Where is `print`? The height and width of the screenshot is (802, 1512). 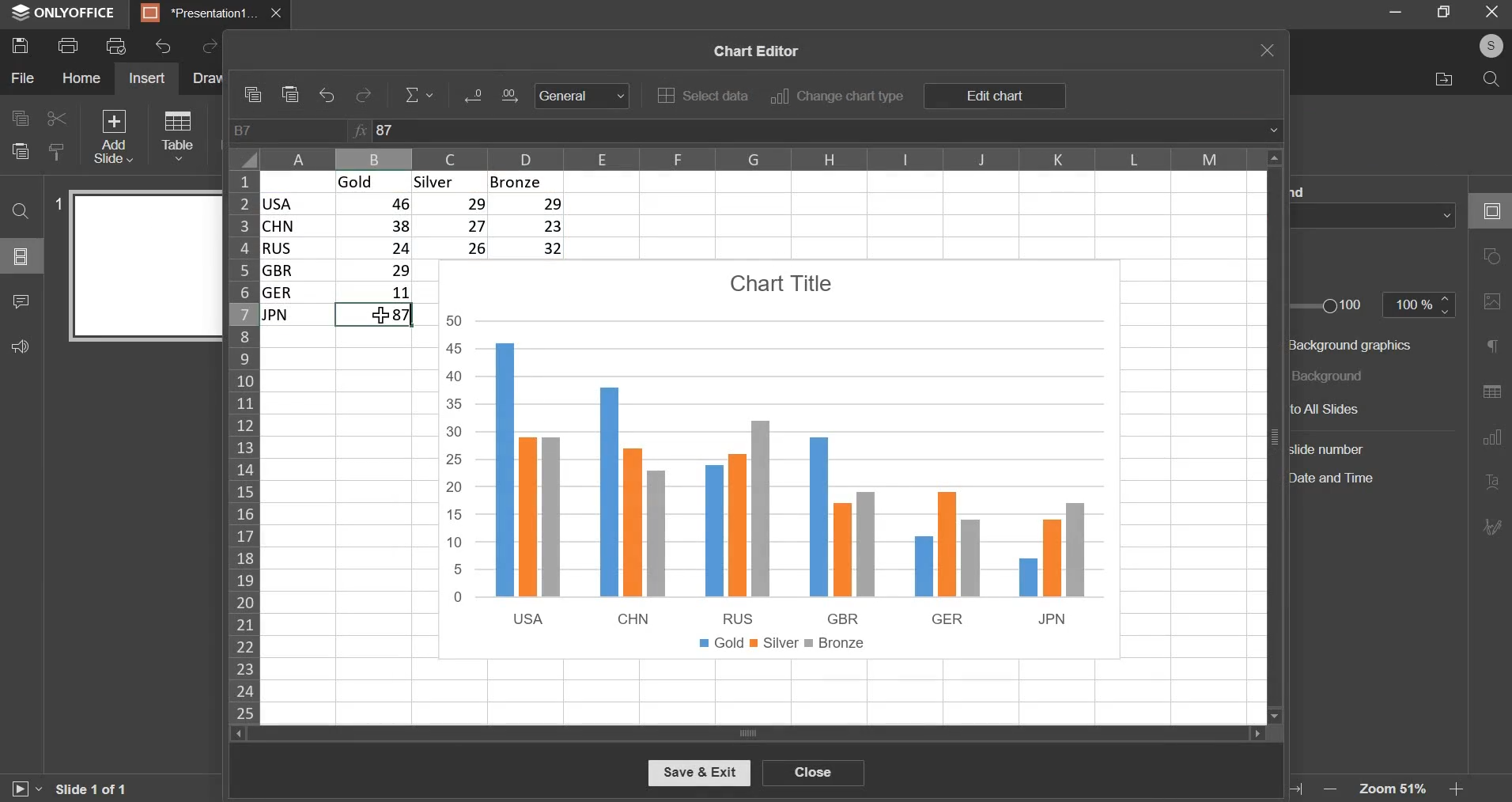
print is located at coordinates (67, 46).